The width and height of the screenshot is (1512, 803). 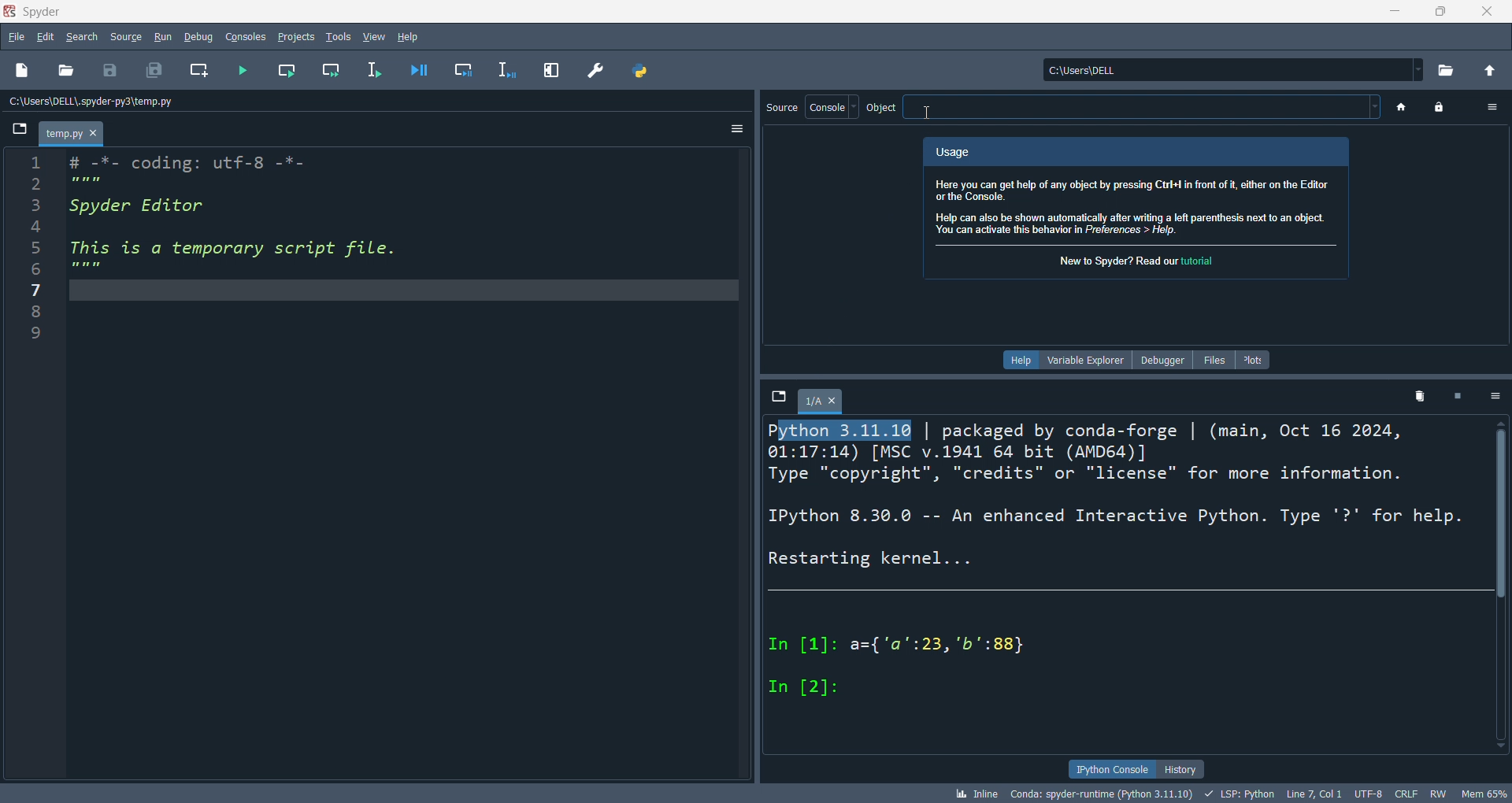 What do you see at coordinates (1251, 359) in the screenshot?
I see `plots` at bounding box center [1251, 359].